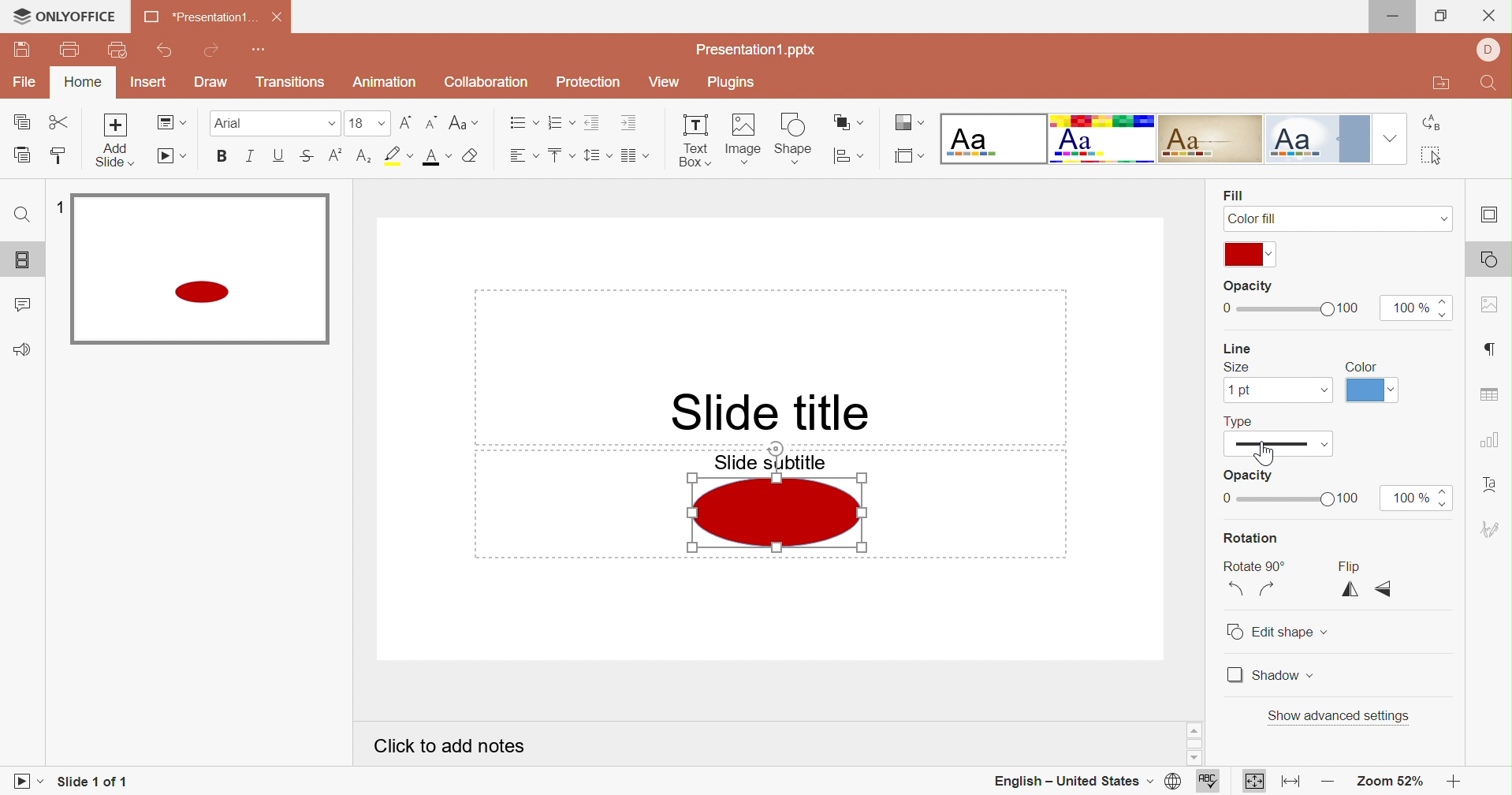  I want to click on Slider, so click(1284, 308).